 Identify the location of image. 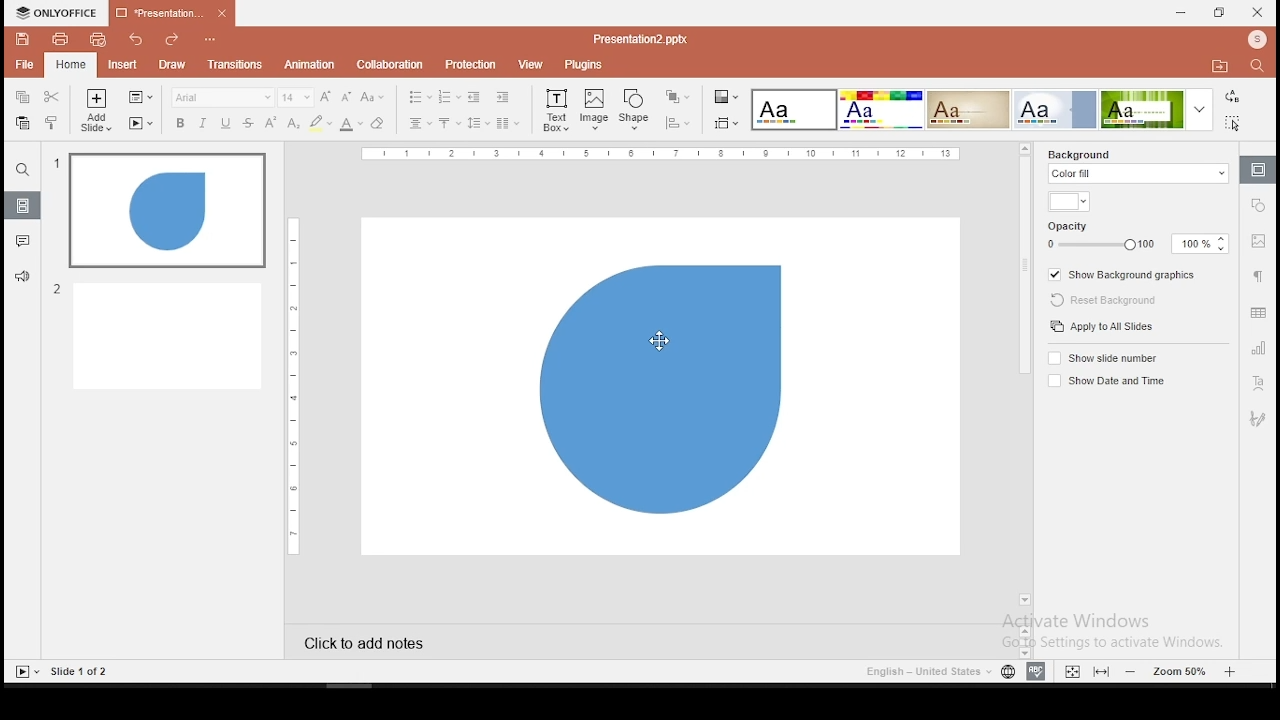
(595, 110).